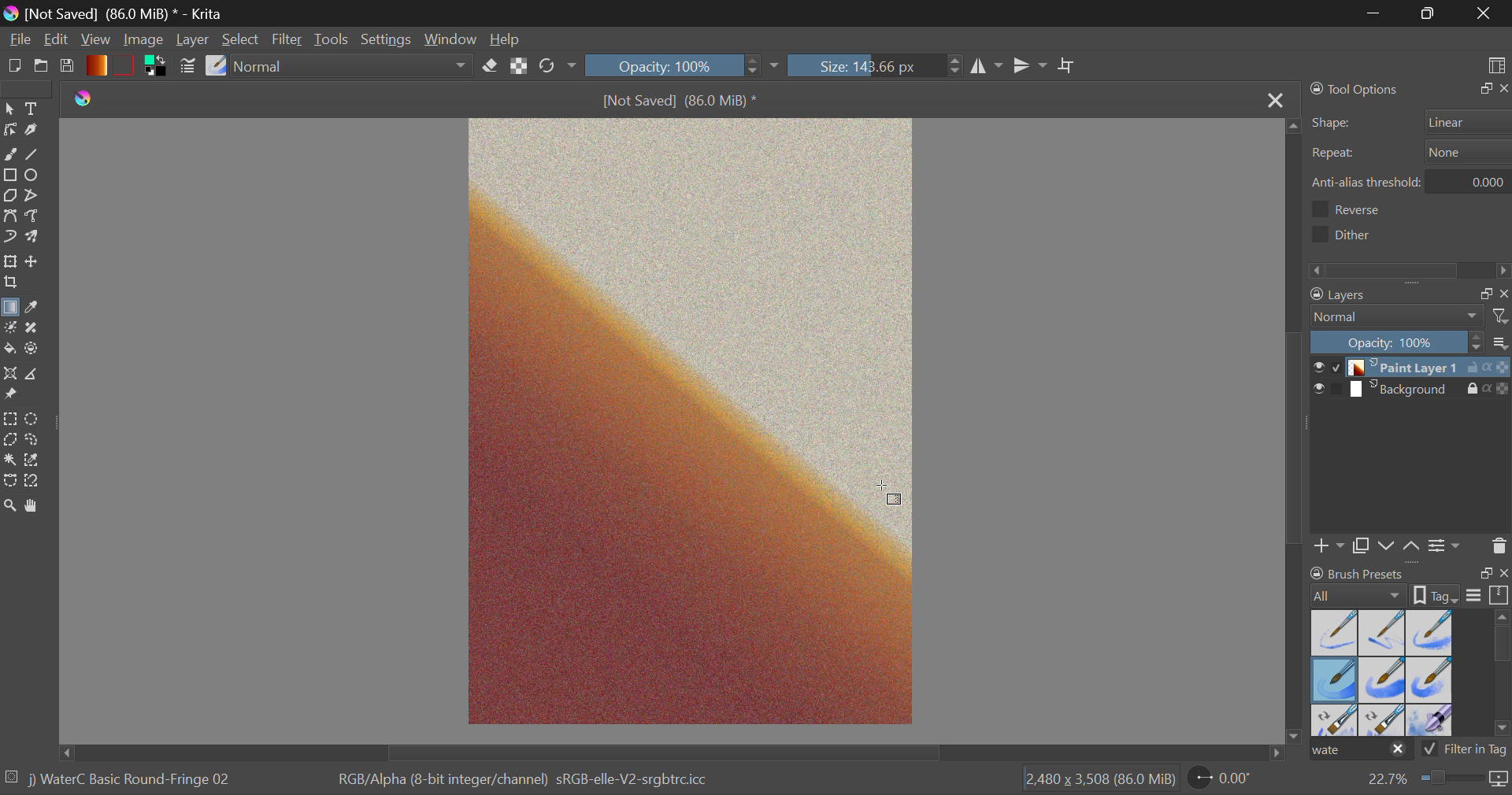 This screenshot has width=1512, height=795. I want to click on Layer, so click(195, 39).